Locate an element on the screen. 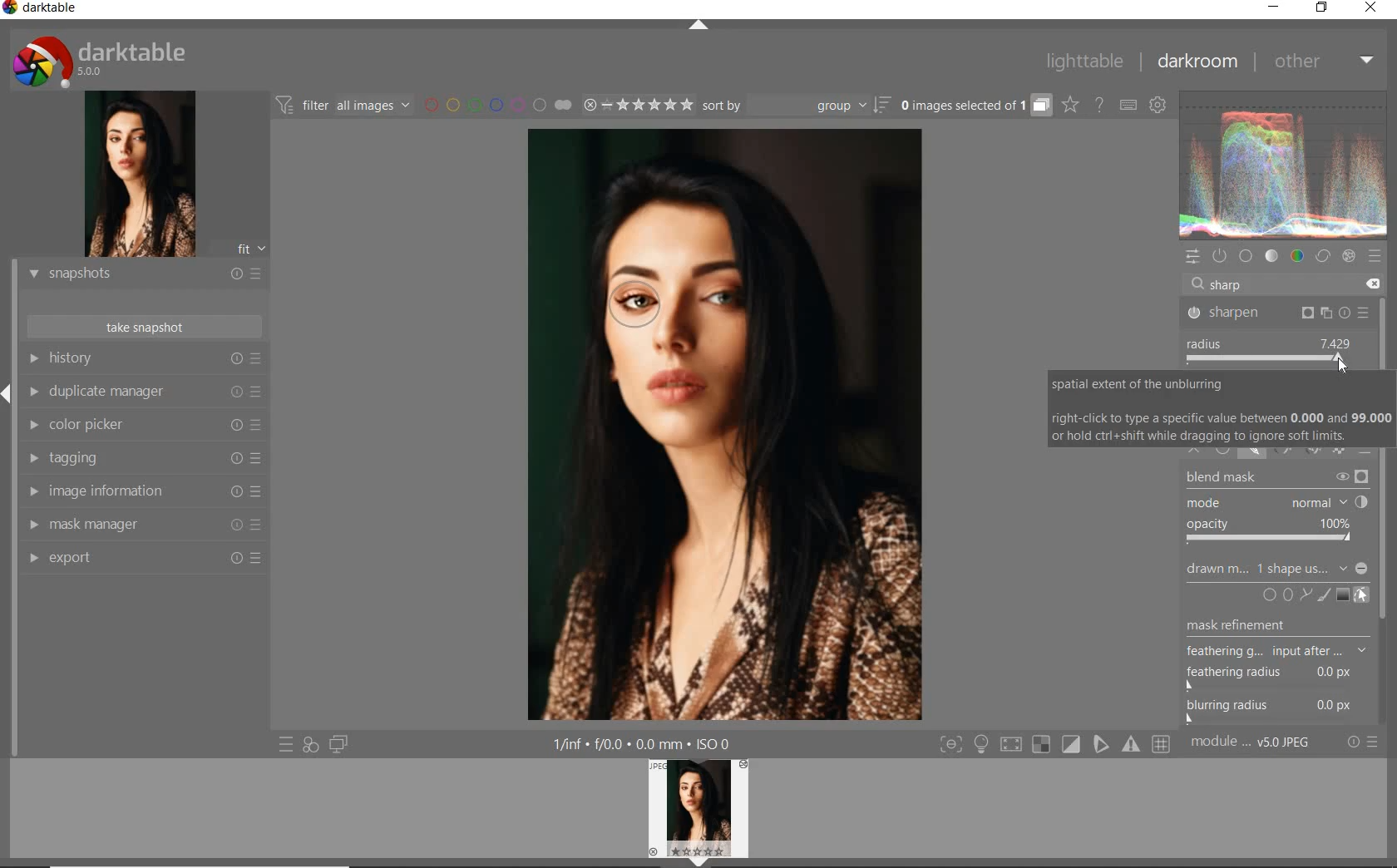  no mask is located at coordinates (1291, 568).